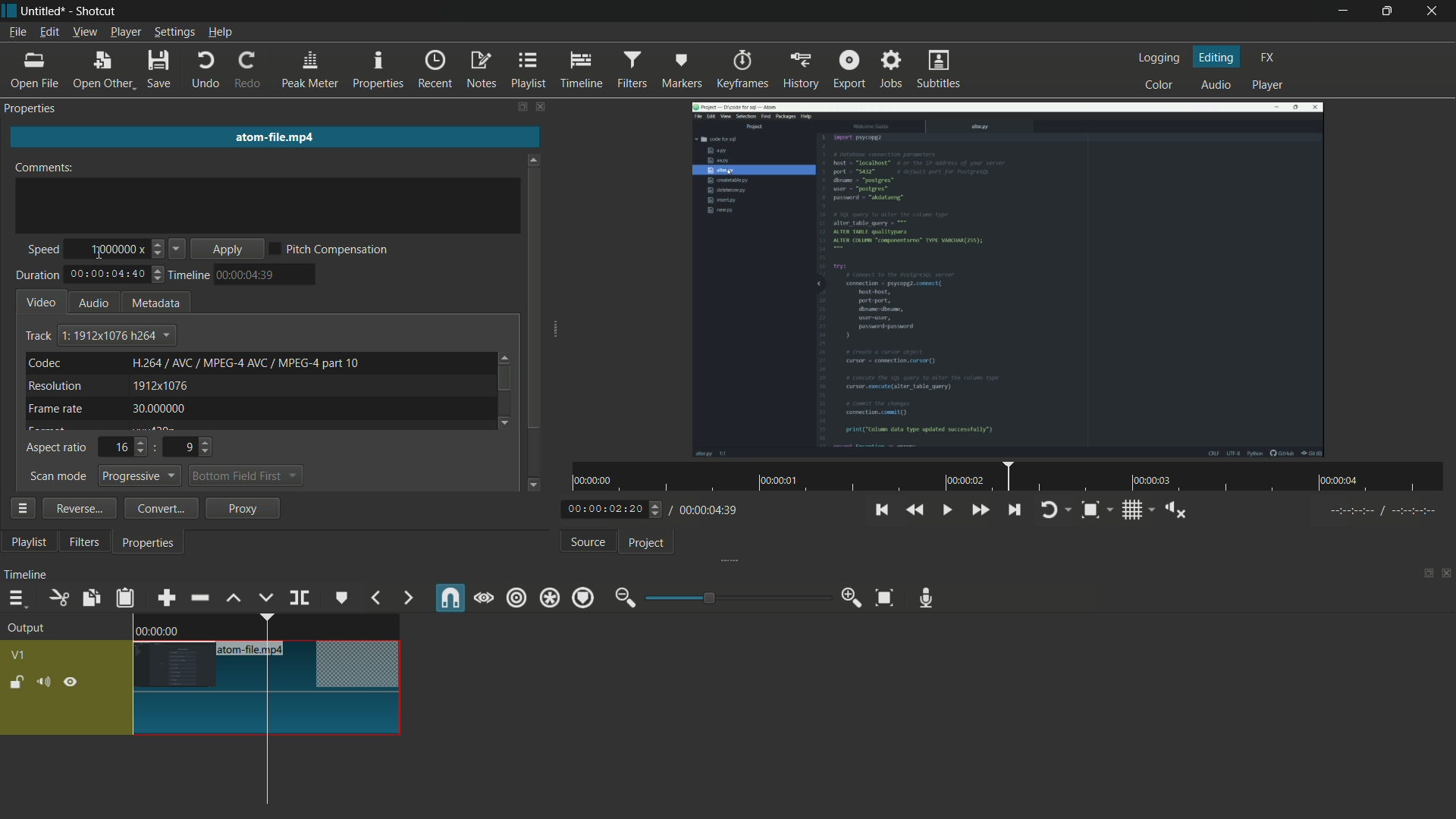 The image size is (1456, 819). What do you see at coordinates (1159, 86) in the screenshot?
I see `color` at bounding box center [1159, 86].